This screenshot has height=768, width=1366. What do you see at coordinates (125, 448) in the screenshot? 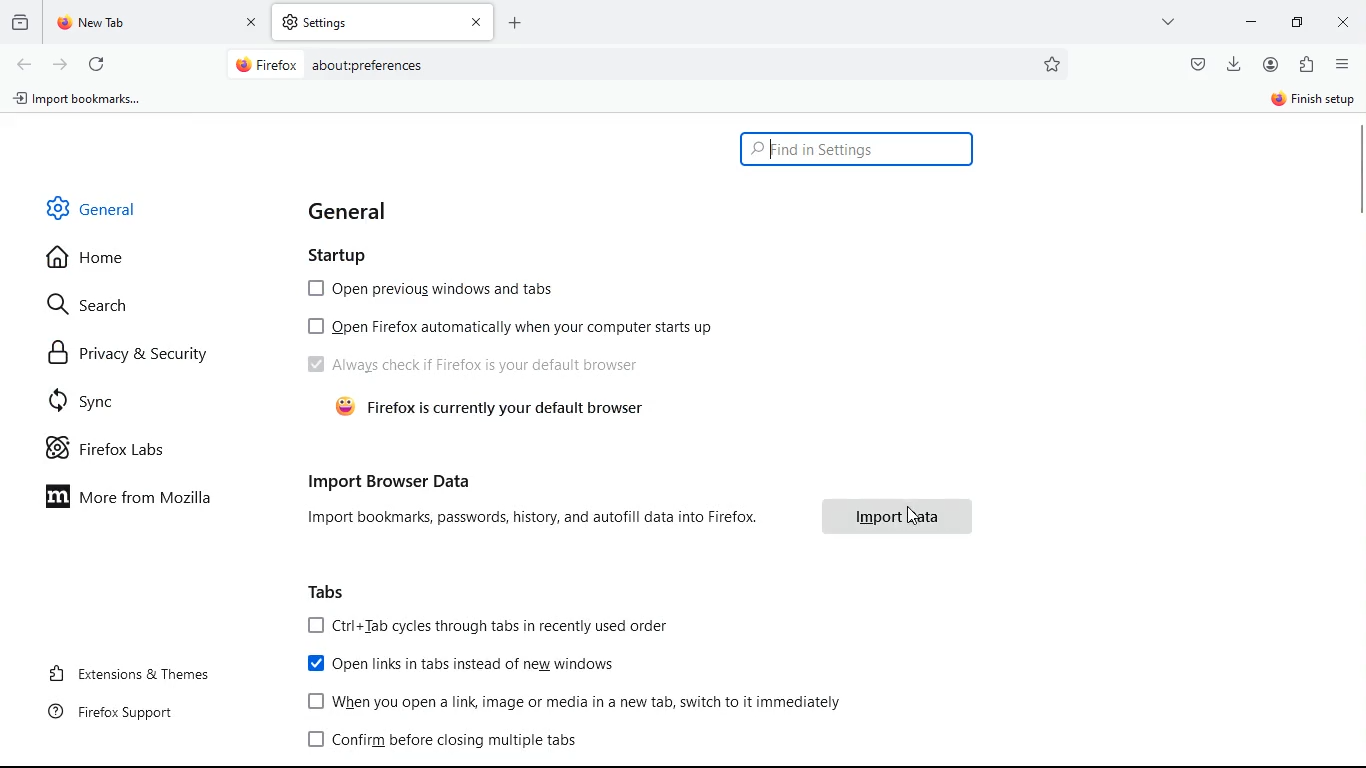
I see `firefox labs` at bounding box center [125, 448].